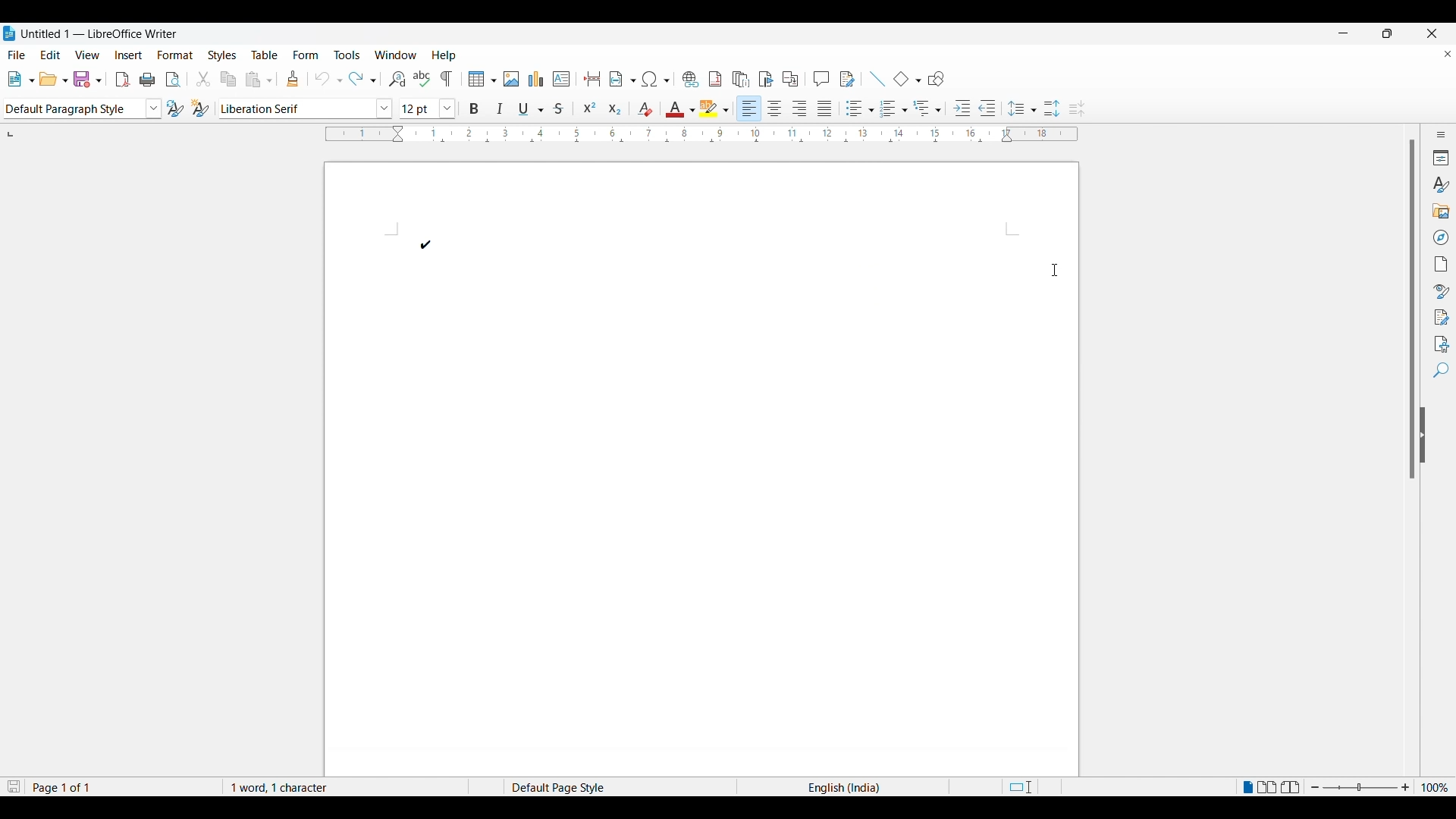  Describe the element at coordinates (703, 135) in the screenshot. I see `Horizontal ruler` at that location.